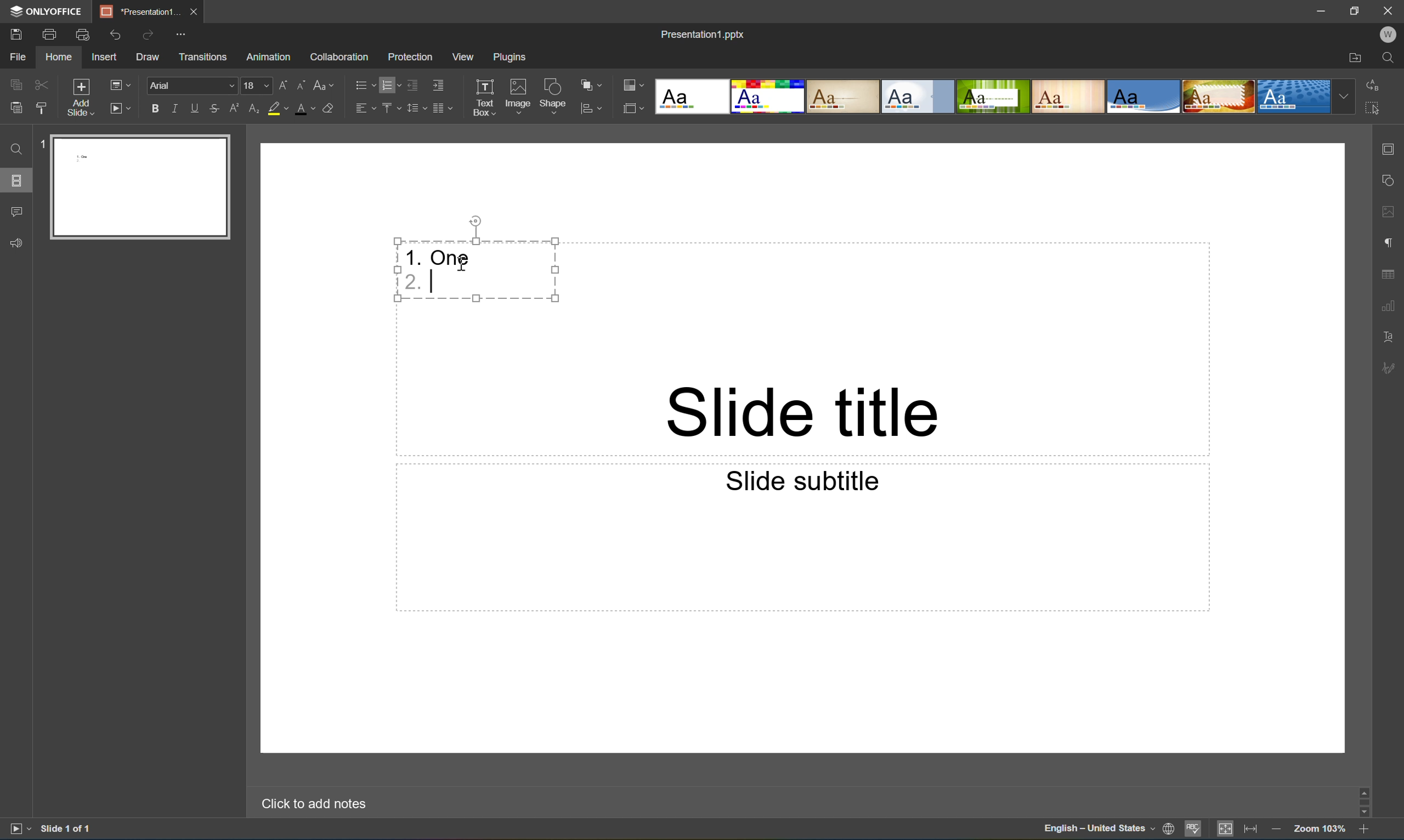 This screenshot has width=1404, height=840. Describe the element at coordinates (150, 38) in the screenshot. I see `Redo` at that location.